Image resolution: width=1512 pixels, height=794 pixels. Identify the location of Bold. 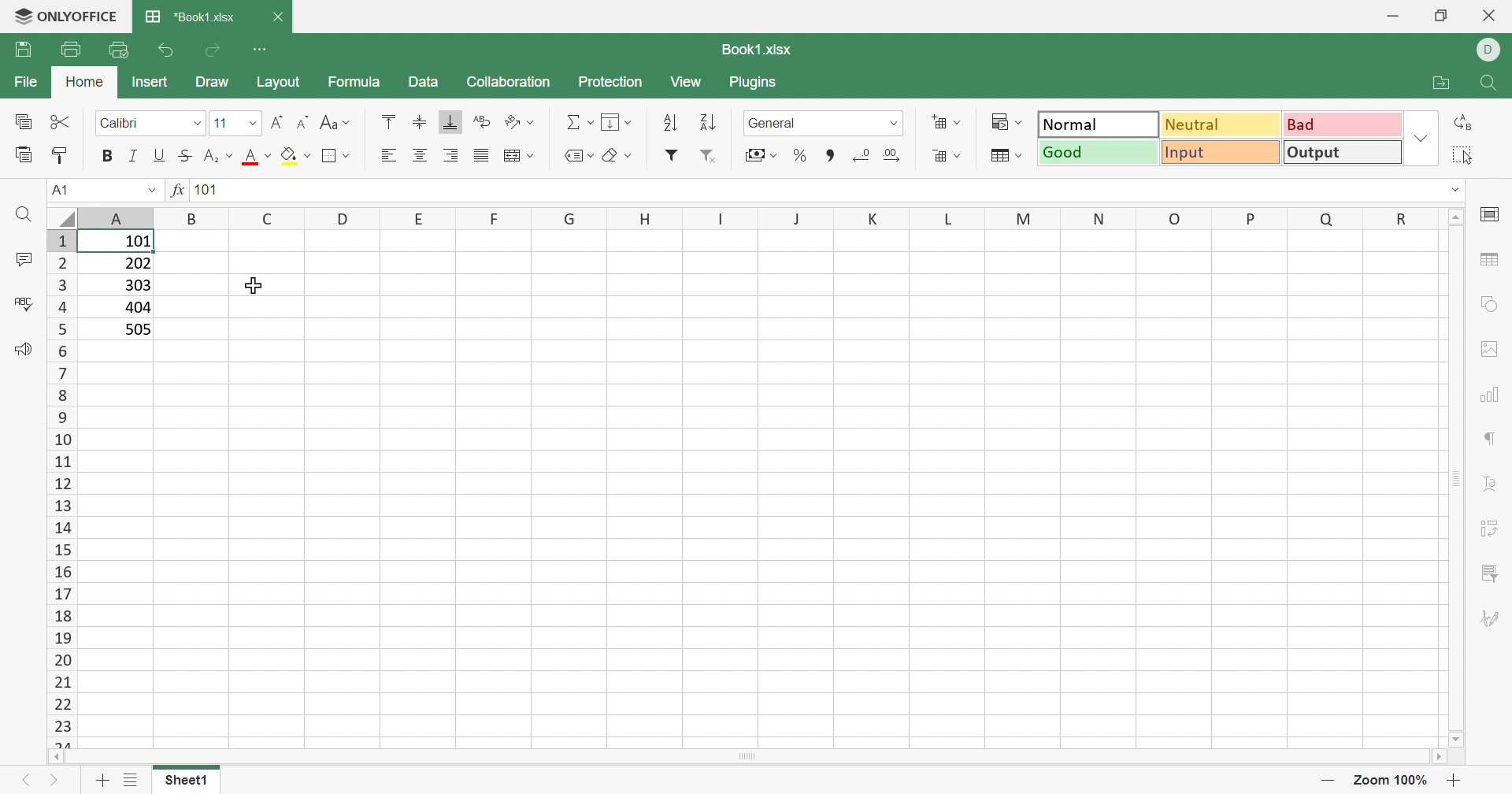
(106, 155).